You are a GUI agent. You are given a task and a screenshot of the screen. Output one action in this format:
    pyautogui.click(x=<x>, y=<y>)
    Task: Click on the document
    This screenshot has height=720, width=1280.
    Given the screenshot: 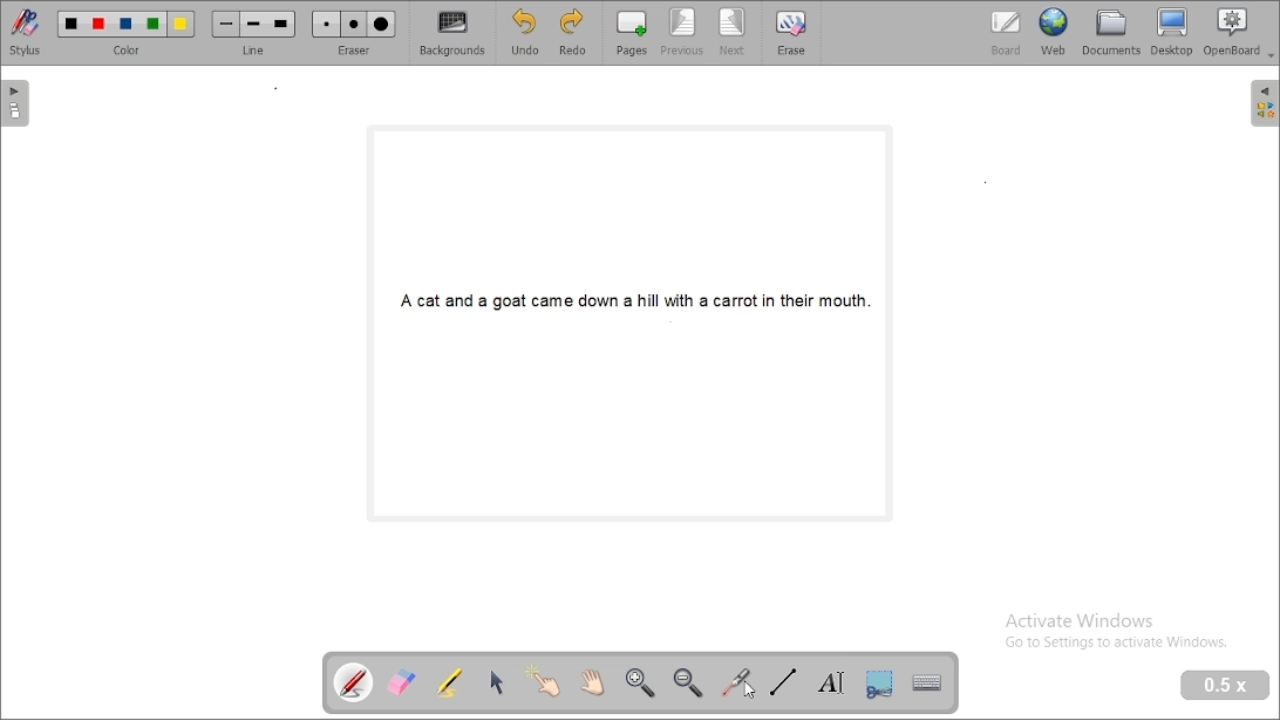 What is the action you would take?
    pyautogui.click(x=1112, y=32)
    